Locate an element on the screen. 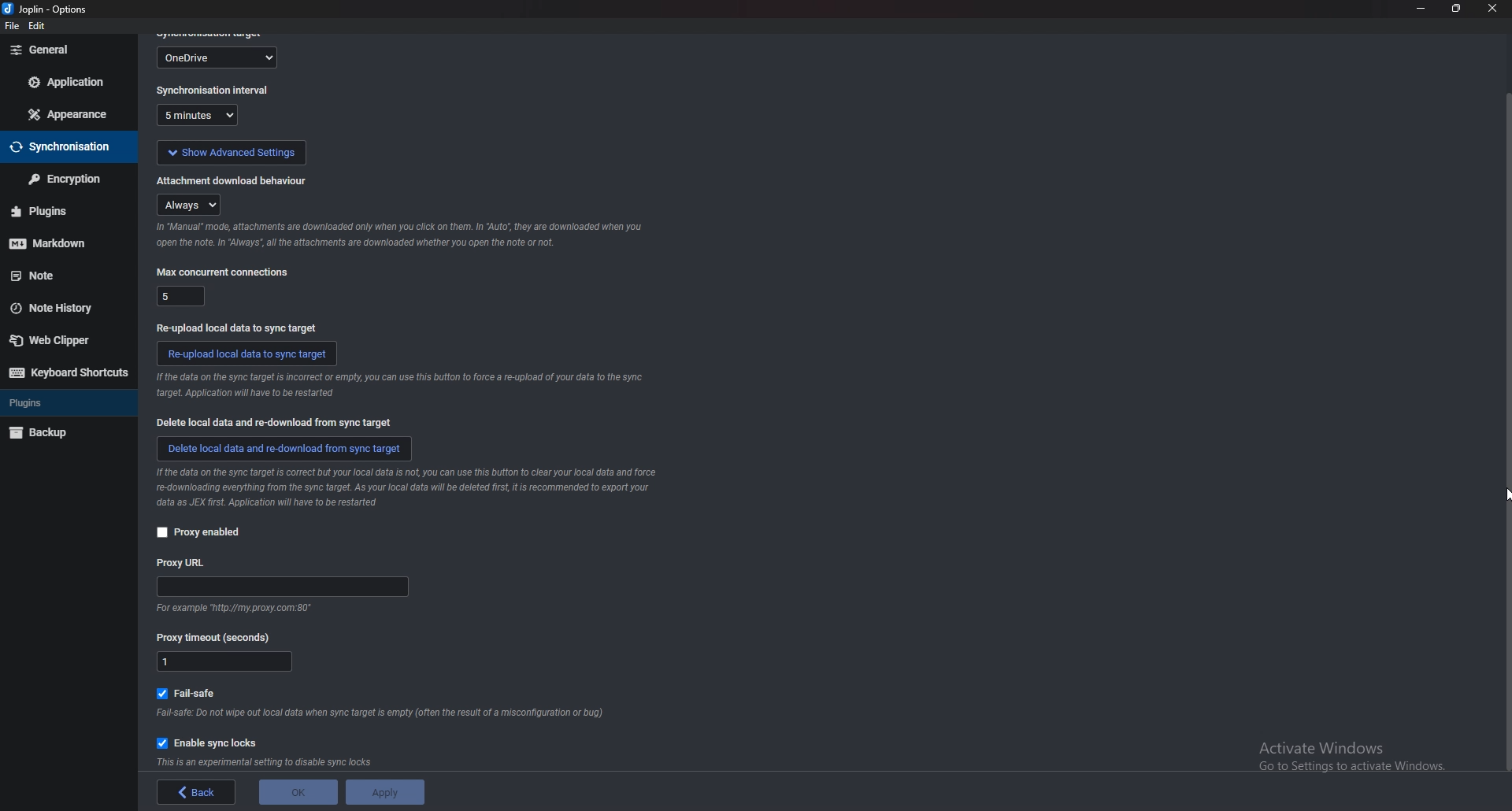 The width and height of the screenshot is (1512, 811). attachment download behaviour is located at coordinates (233, 179).